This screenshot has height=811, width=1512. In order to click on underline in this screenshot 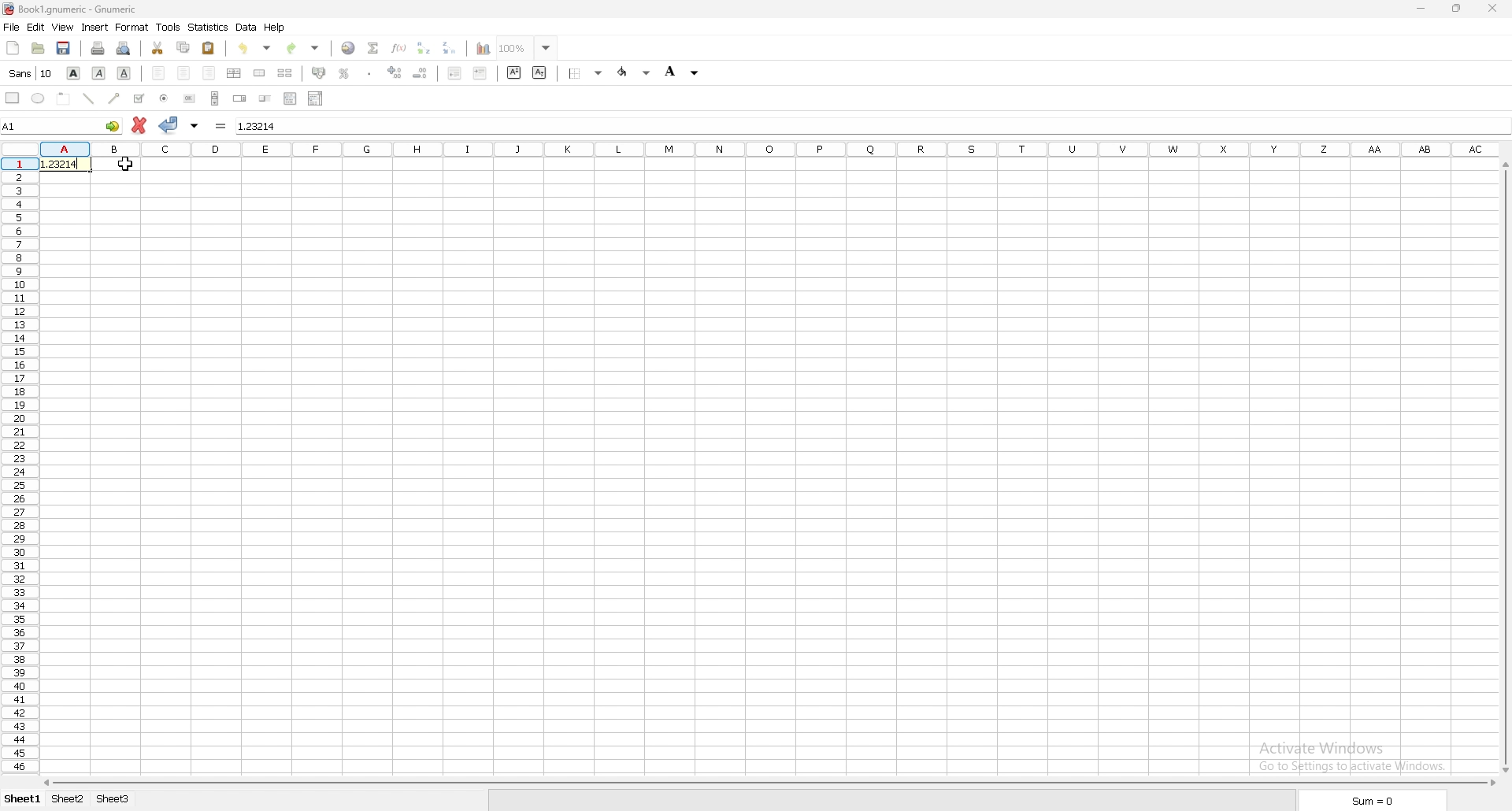, I will do `click(124, 72)`.